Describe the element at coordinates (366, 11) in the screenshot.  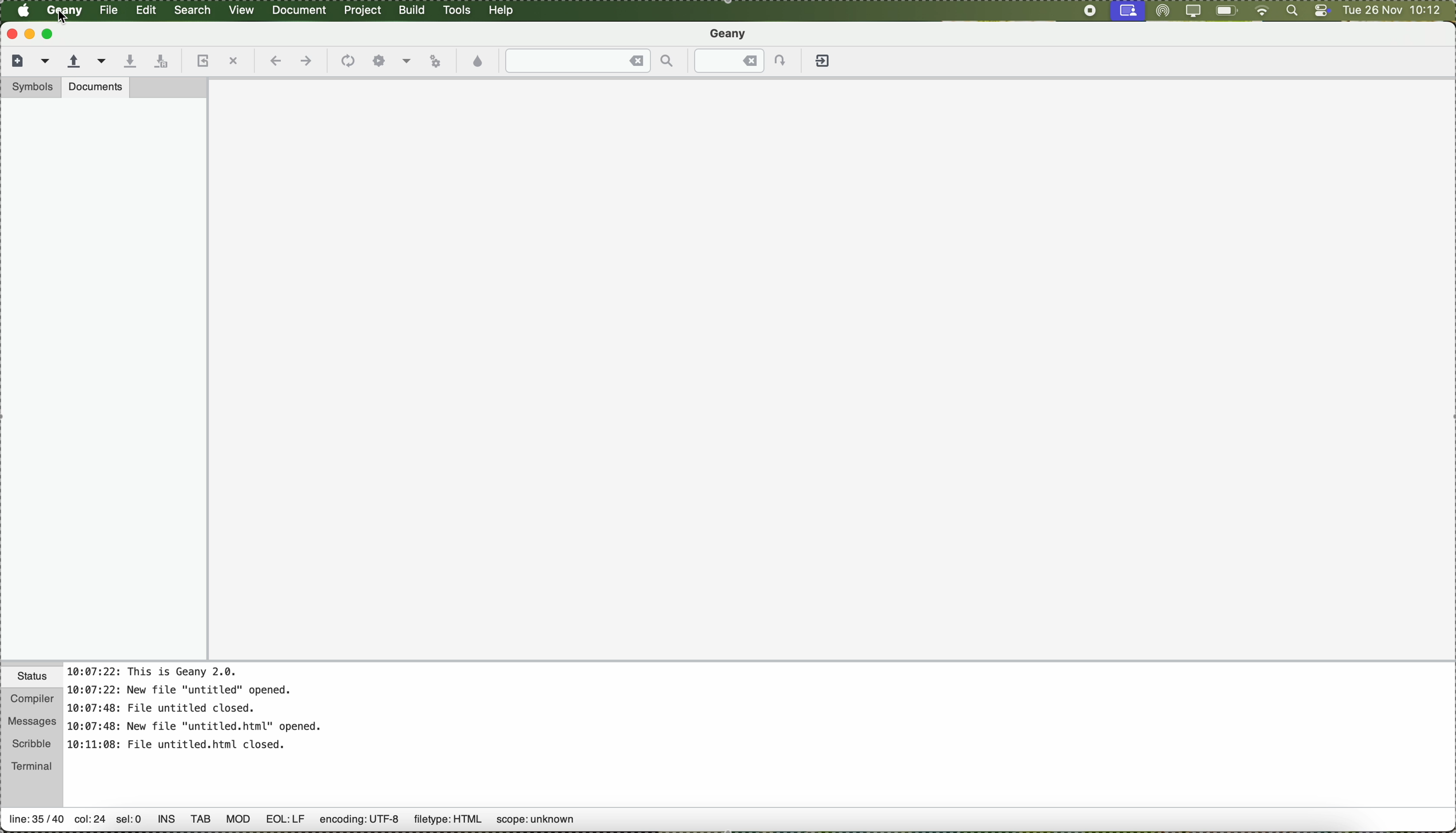
I see `project` at that location.